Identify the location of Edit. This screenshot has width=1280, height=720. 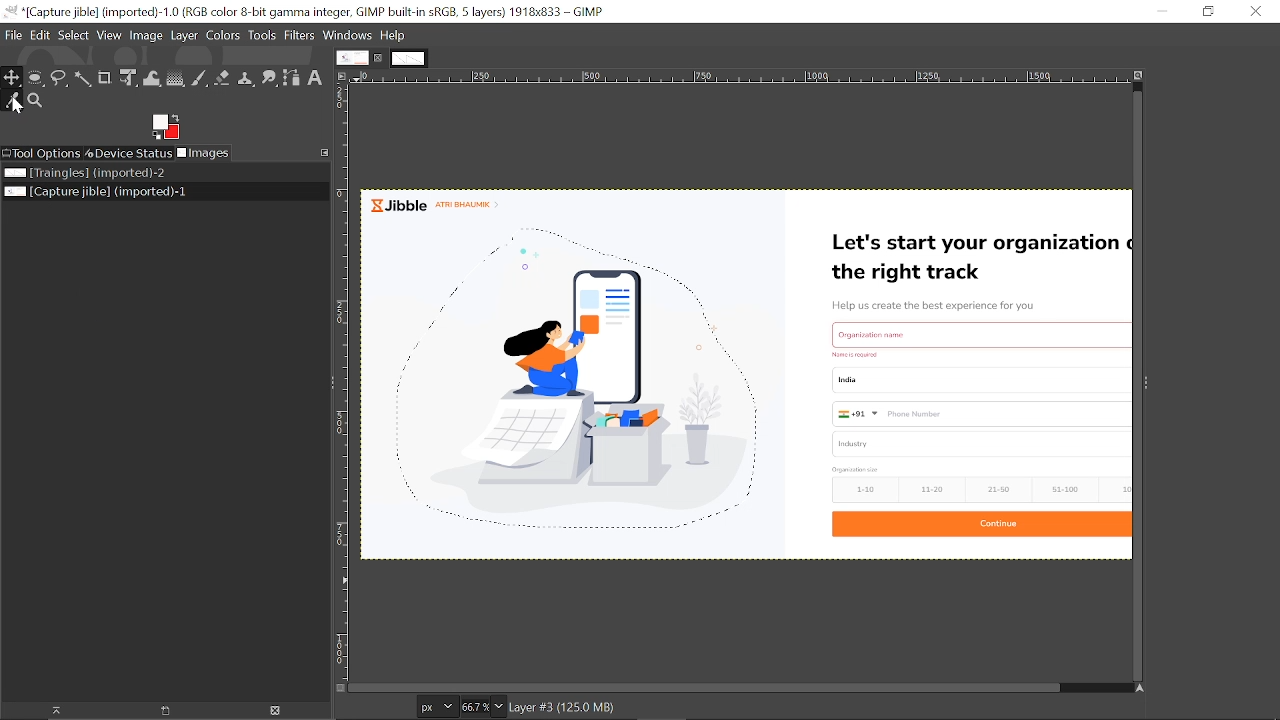
(40, 35).